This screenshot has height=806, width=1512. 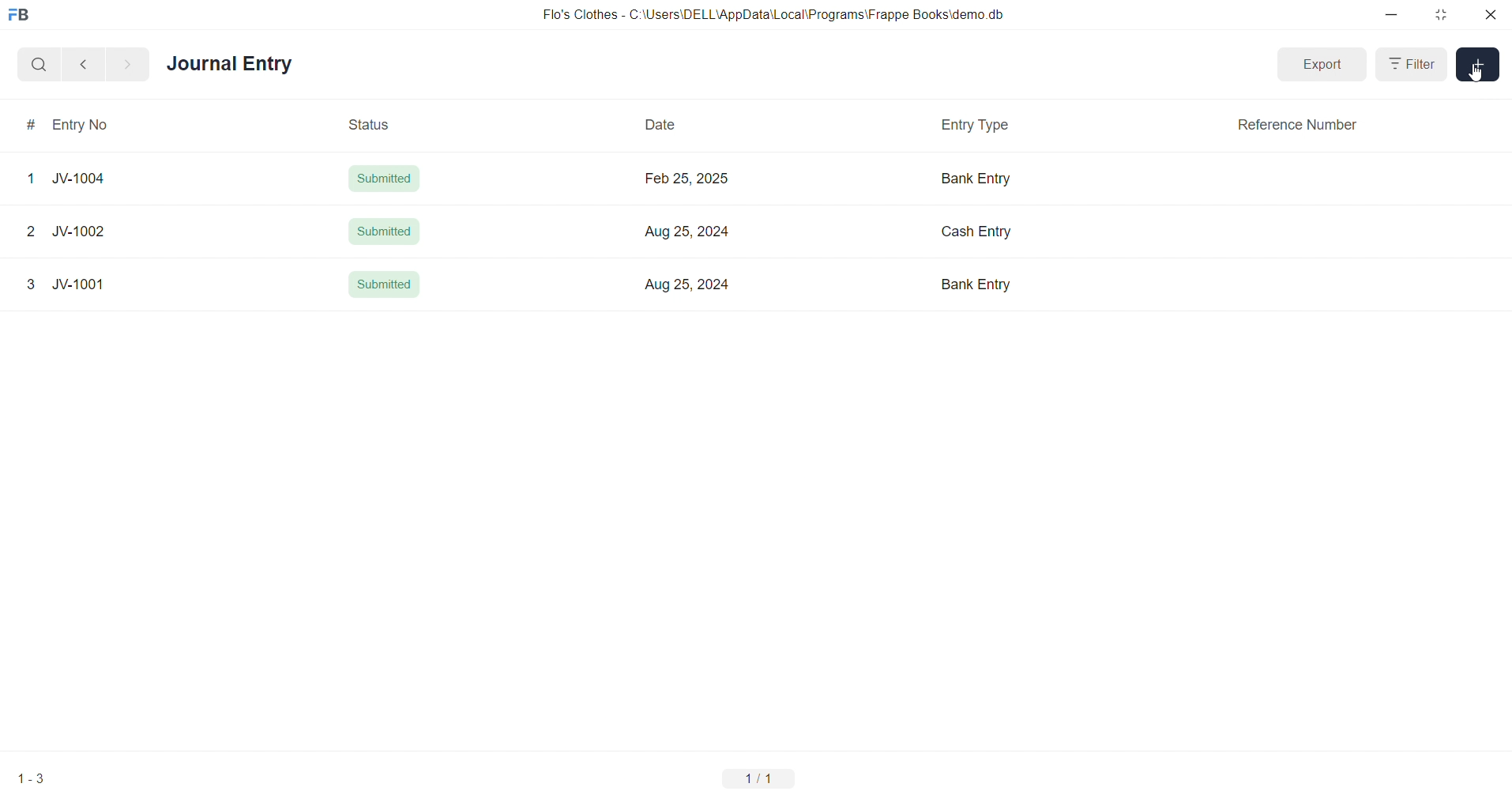 What do you see at coordinates (690, 284) in the screenshot?
I see `Aug 25, 2024` at bounding box center [690, 284].